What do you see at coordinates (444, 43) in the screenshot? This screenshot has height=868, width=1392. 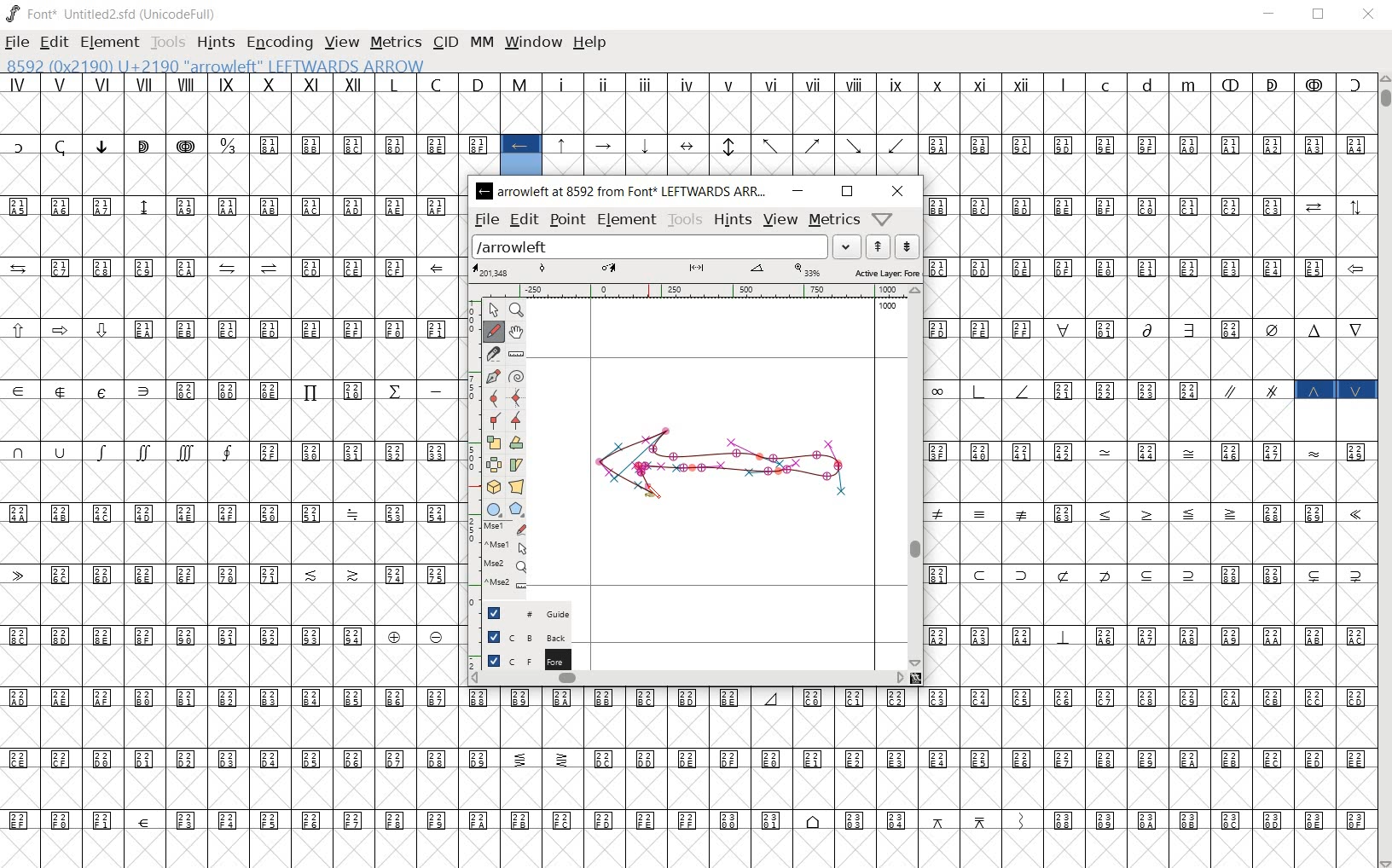 I see `cid` at bounding box center [444, 43].